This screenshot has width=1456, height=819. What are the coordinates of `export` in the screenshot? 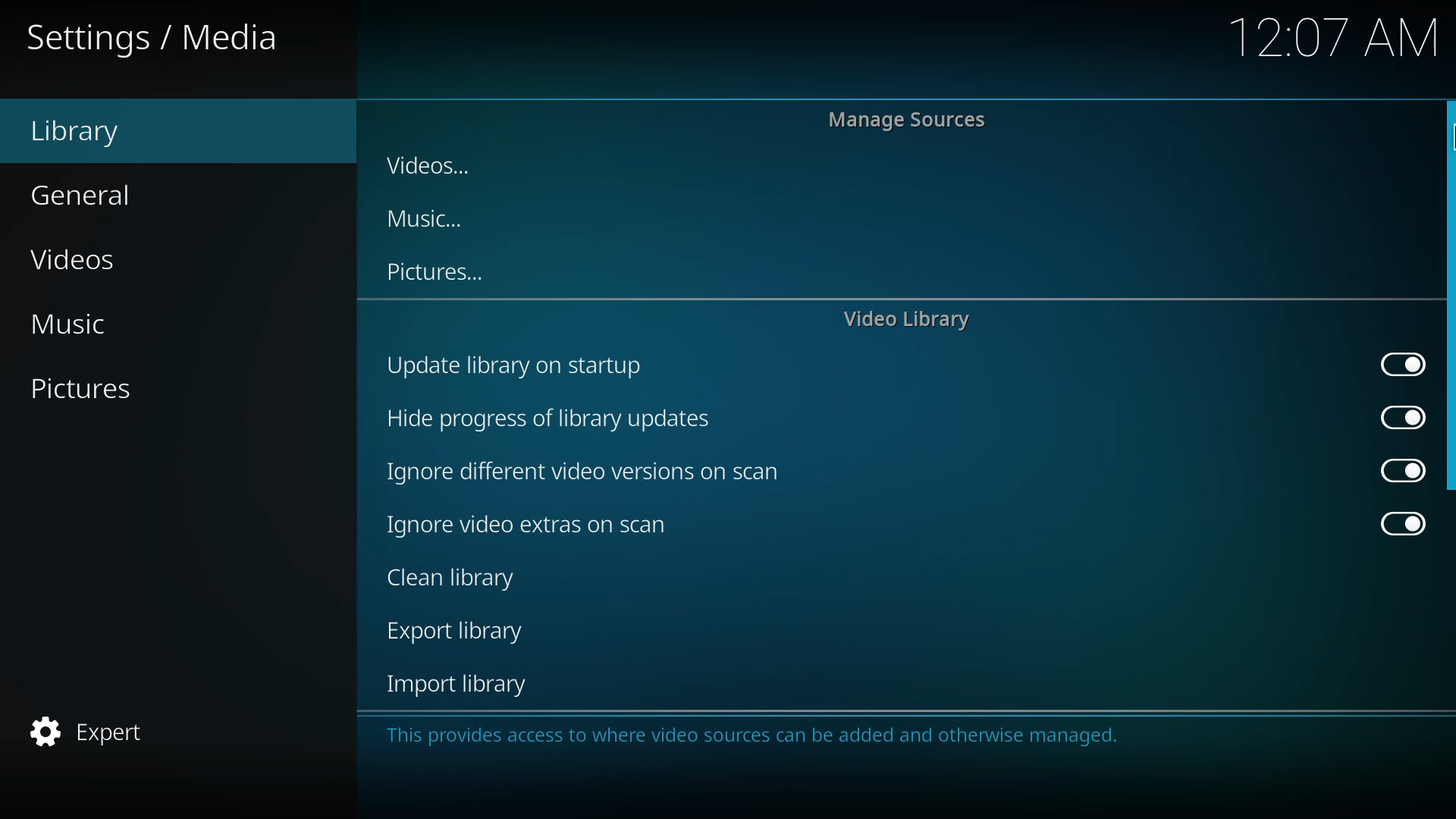 It's located at (455, 582).